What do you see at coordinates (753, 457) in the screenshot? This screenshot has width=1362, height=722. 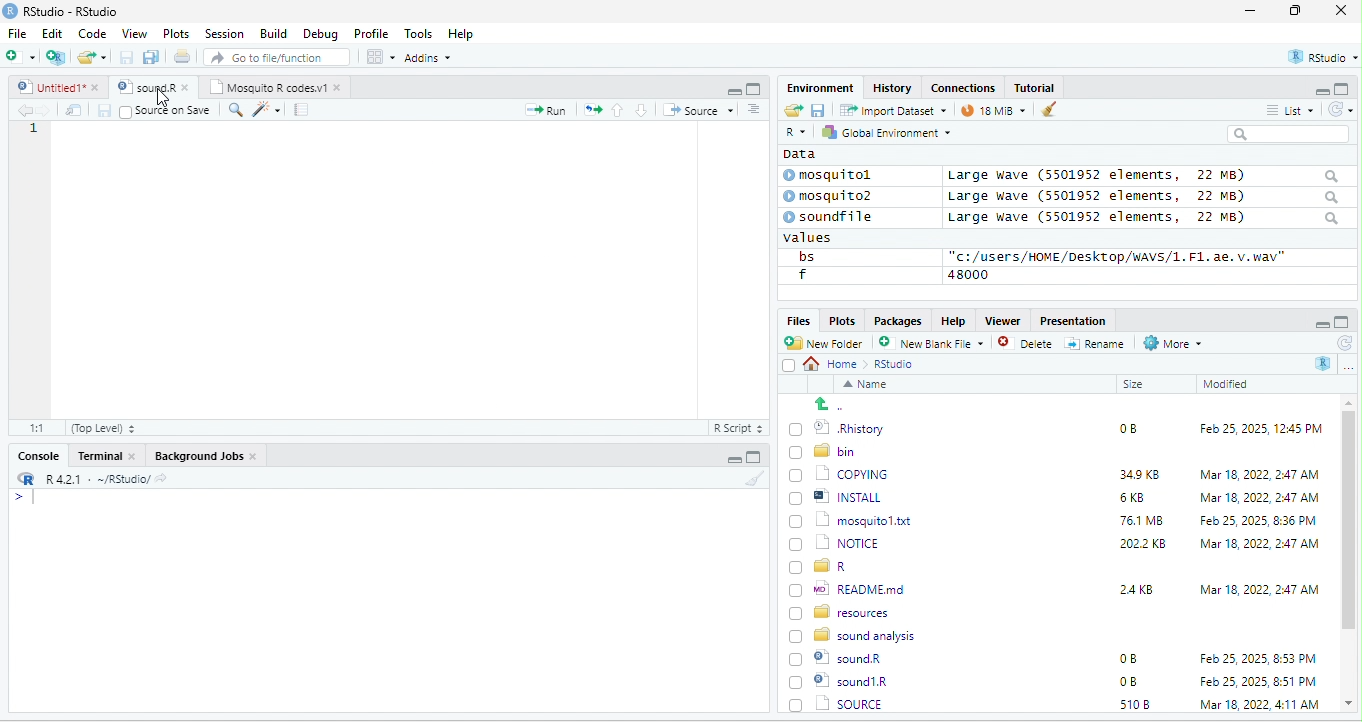 I see `maximize` at bounding box center [753, 457].